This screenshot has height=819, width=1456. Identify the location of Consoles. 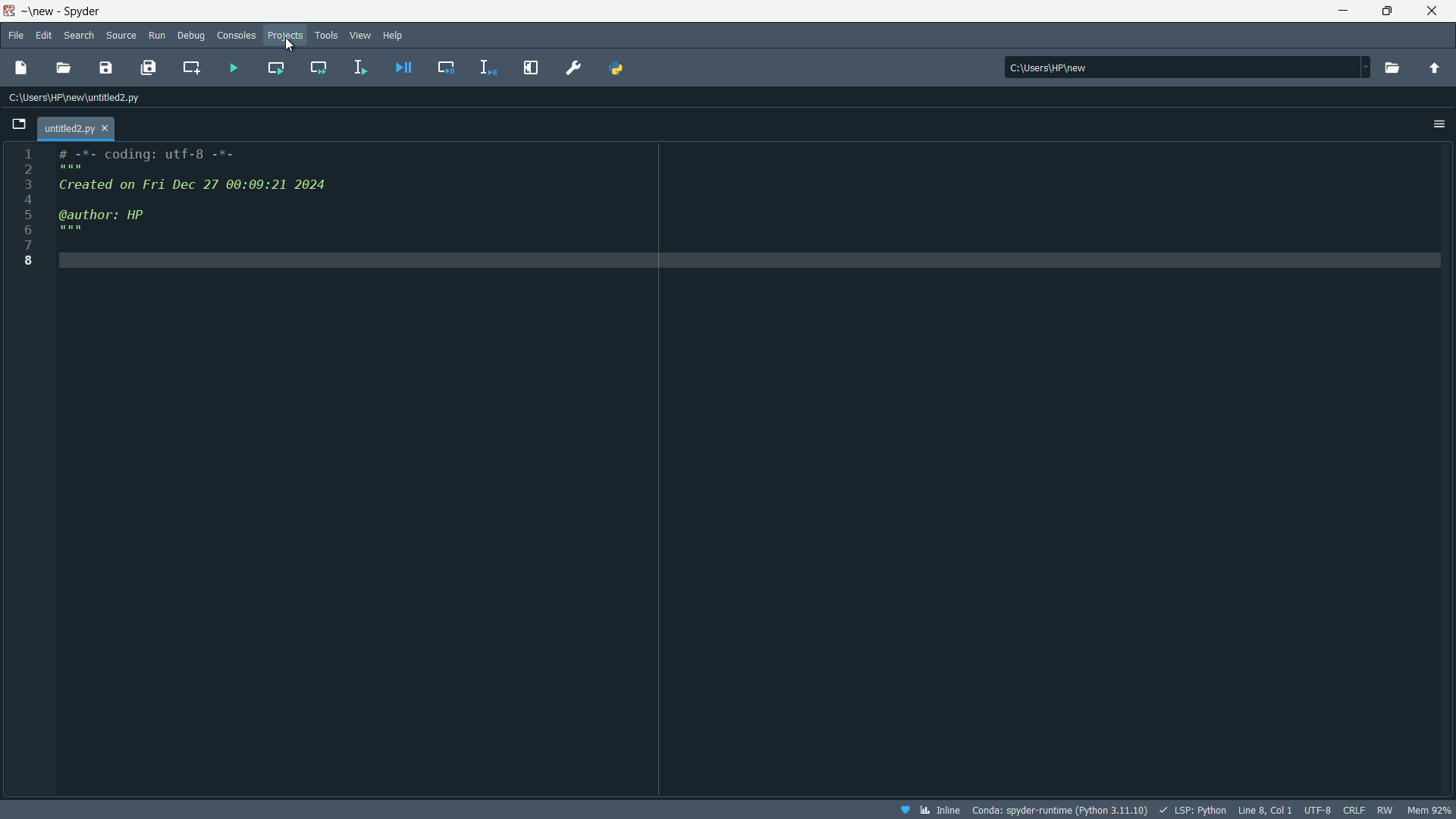
(235, 34).